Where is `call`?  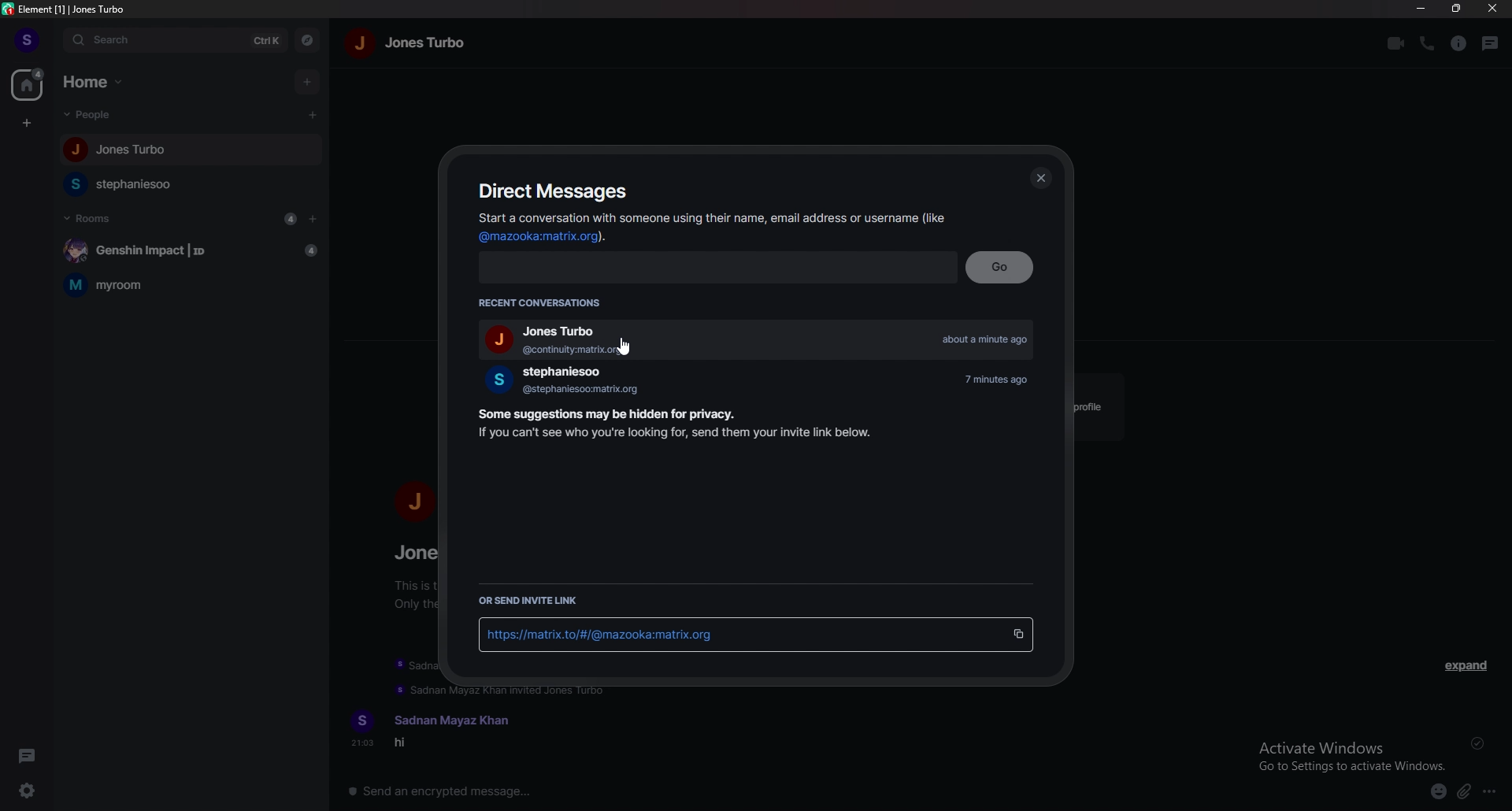 call is located at coordinates (1427, 43).